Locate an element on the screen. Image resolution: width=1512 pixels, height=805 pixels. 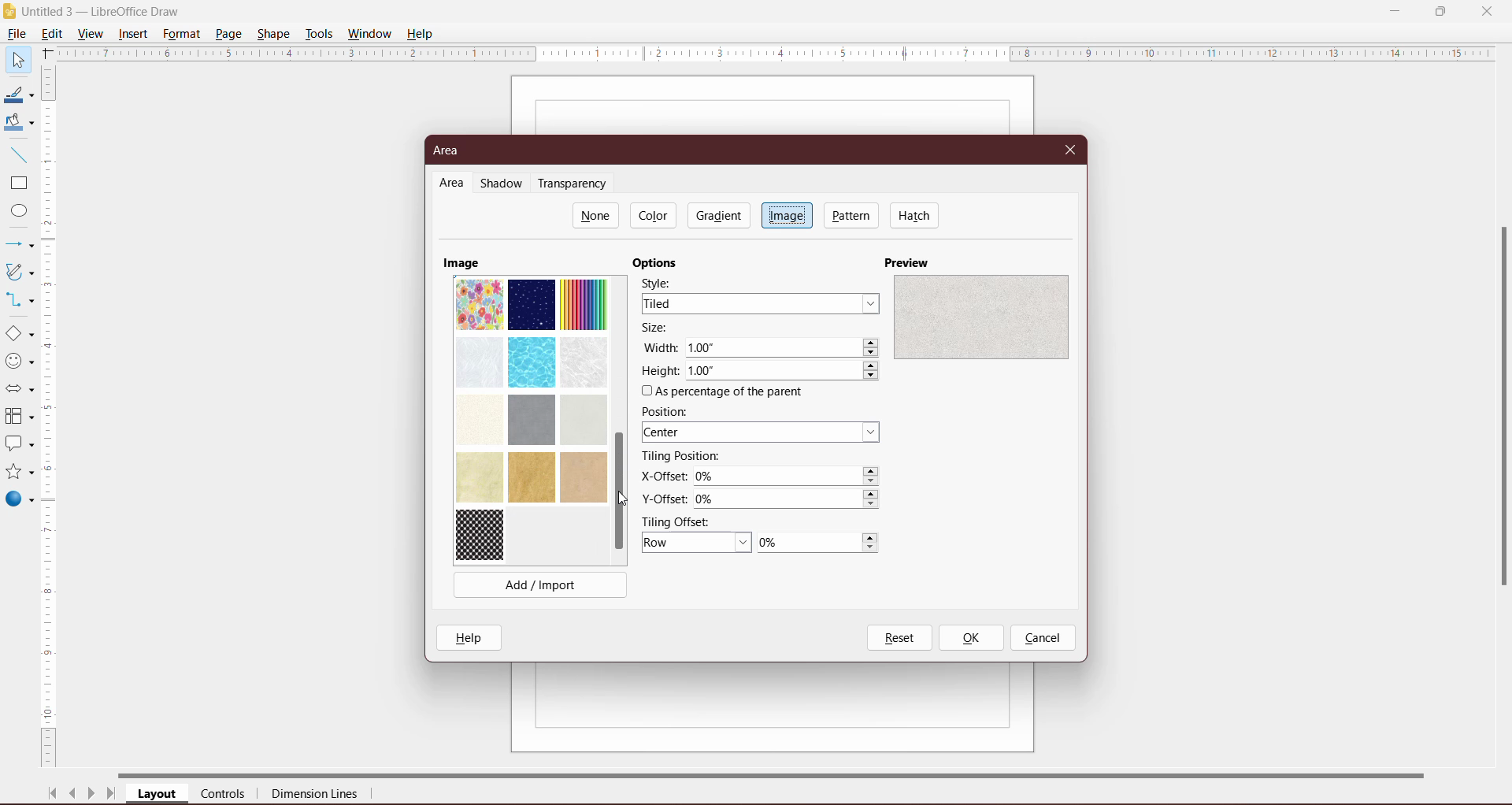
Tools is located at coordinates (319, 34).